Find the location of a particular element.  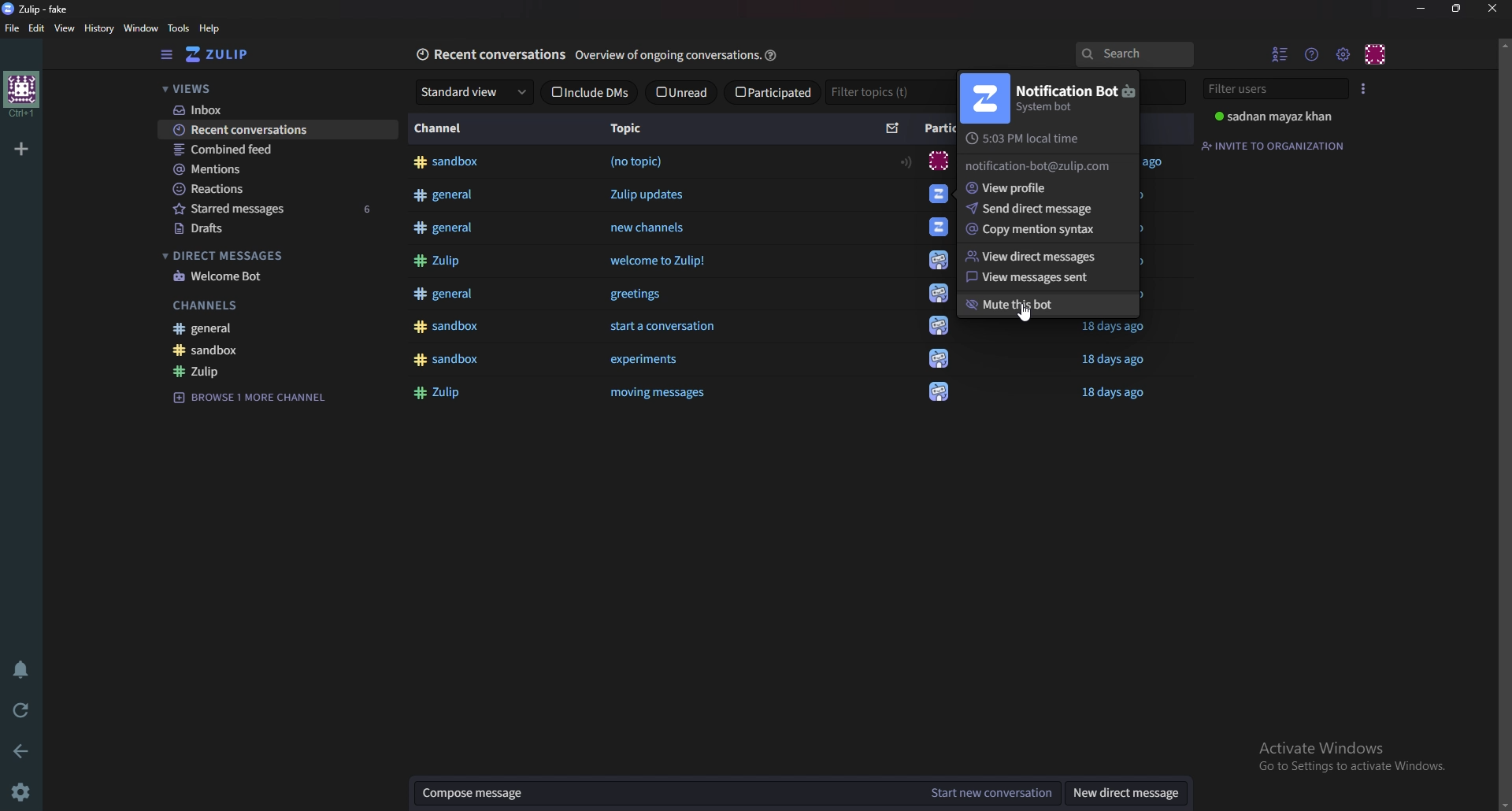

Local time is located at coordinates (1029, 138).